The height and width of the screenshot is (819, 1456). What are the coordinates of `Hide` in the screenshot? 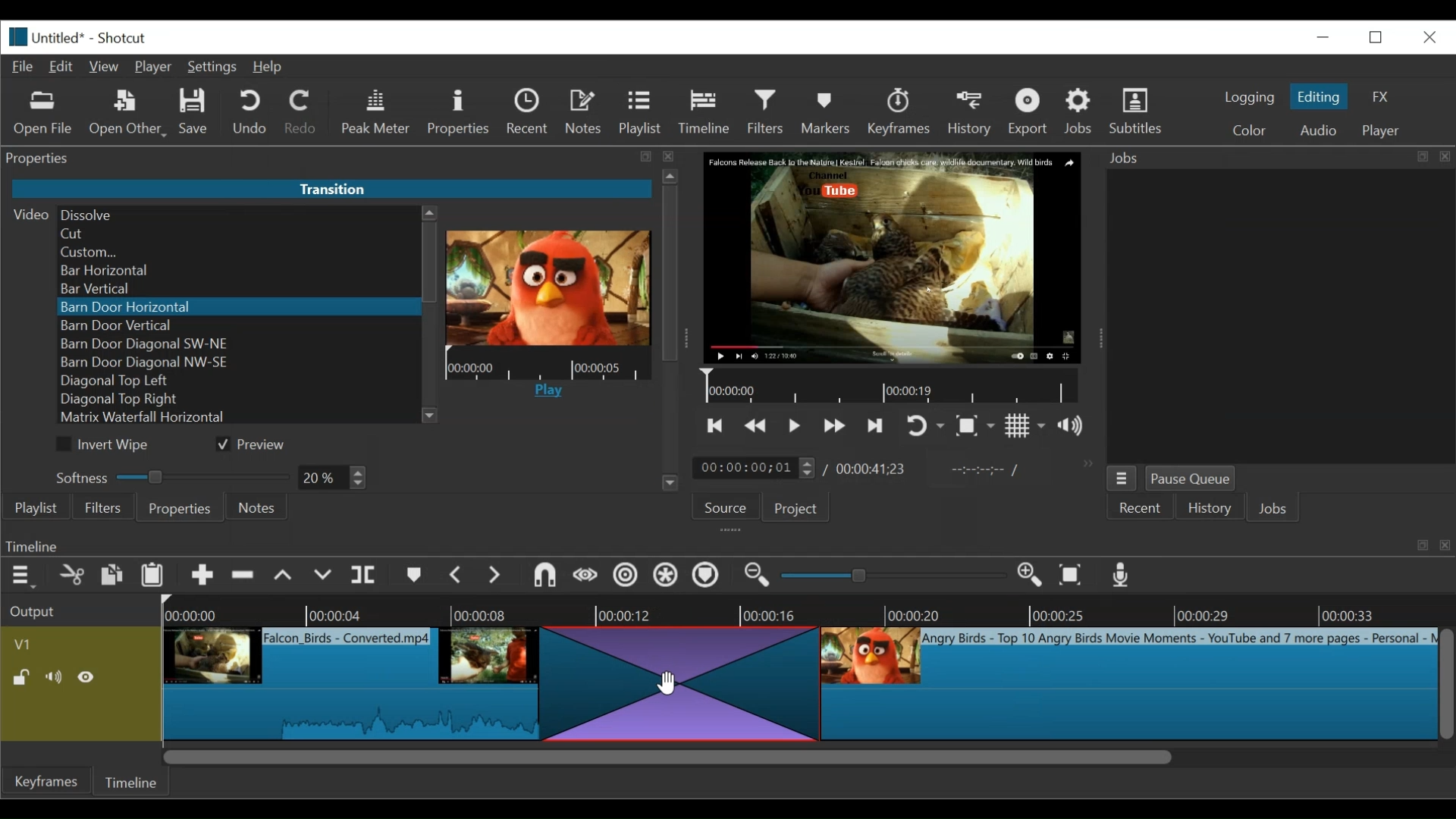 It's located at (89, 676).